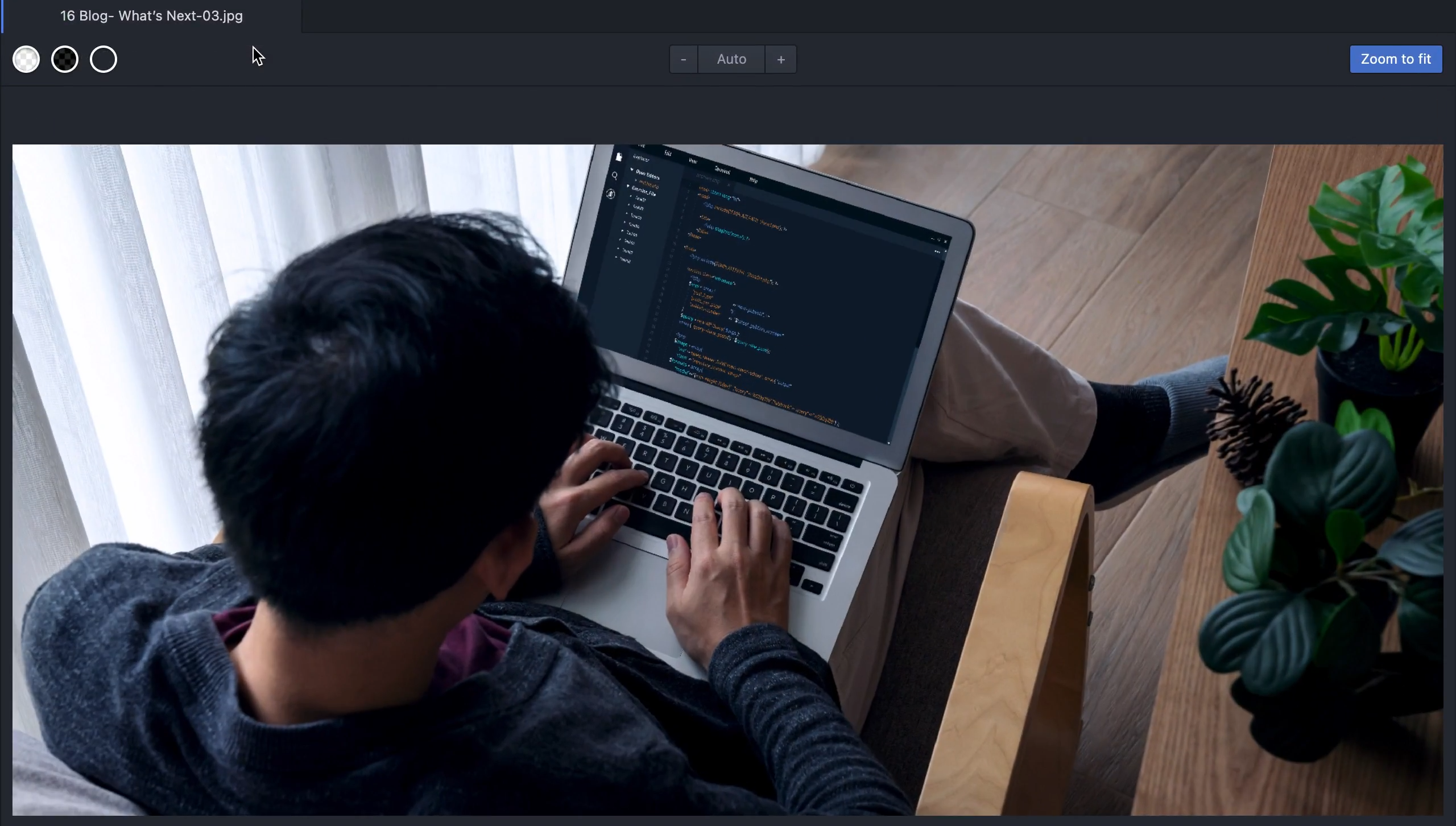  What do you see at coordinates (672, 61) in the screenshot?
I see `zoom out` at bounding box center [672, 61].